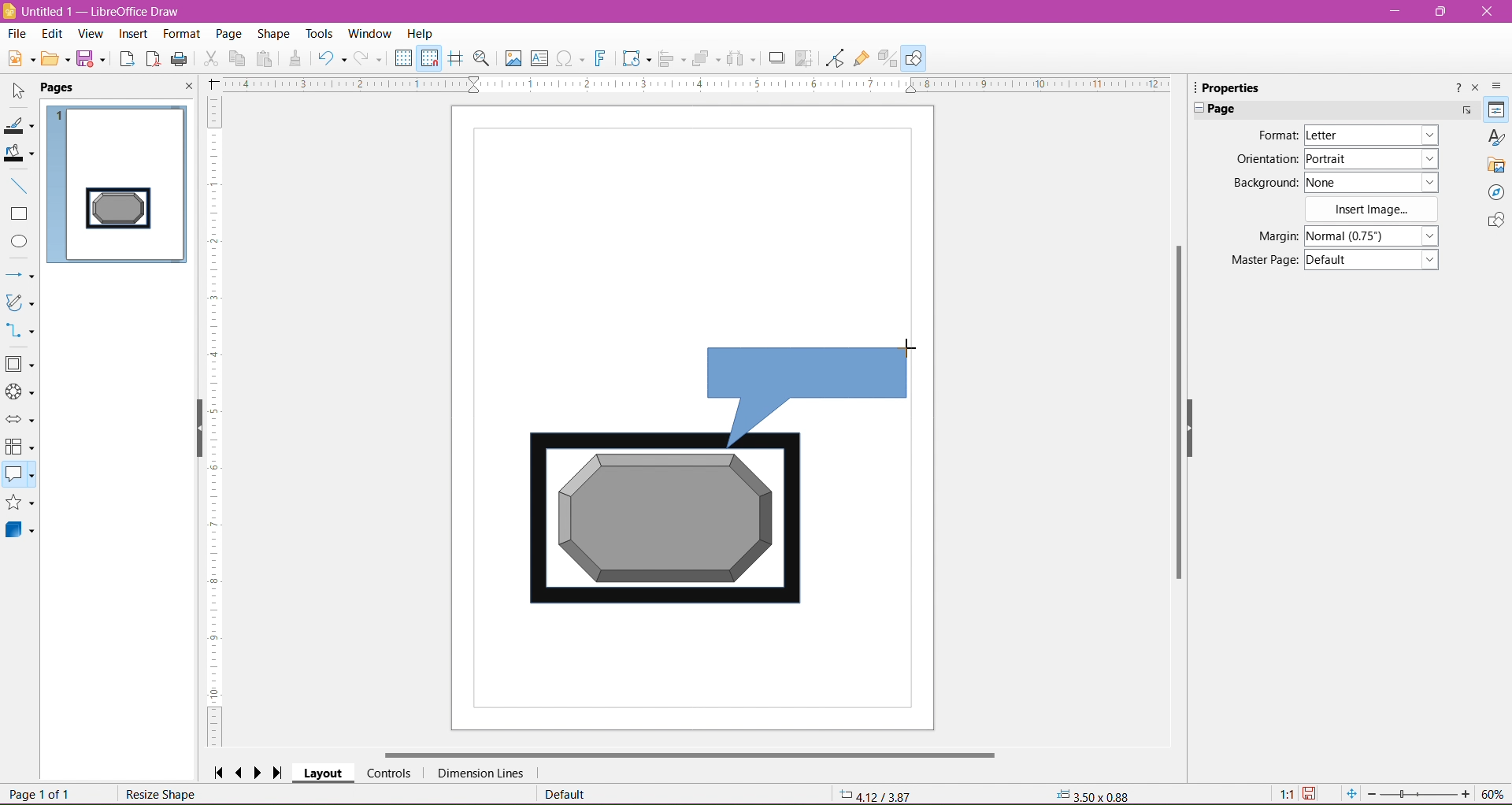 The height and width of the screenshot is (805, 1512). Describe the element at coordinates (238, 58) in the screenshot. I see `Copy` at that location.